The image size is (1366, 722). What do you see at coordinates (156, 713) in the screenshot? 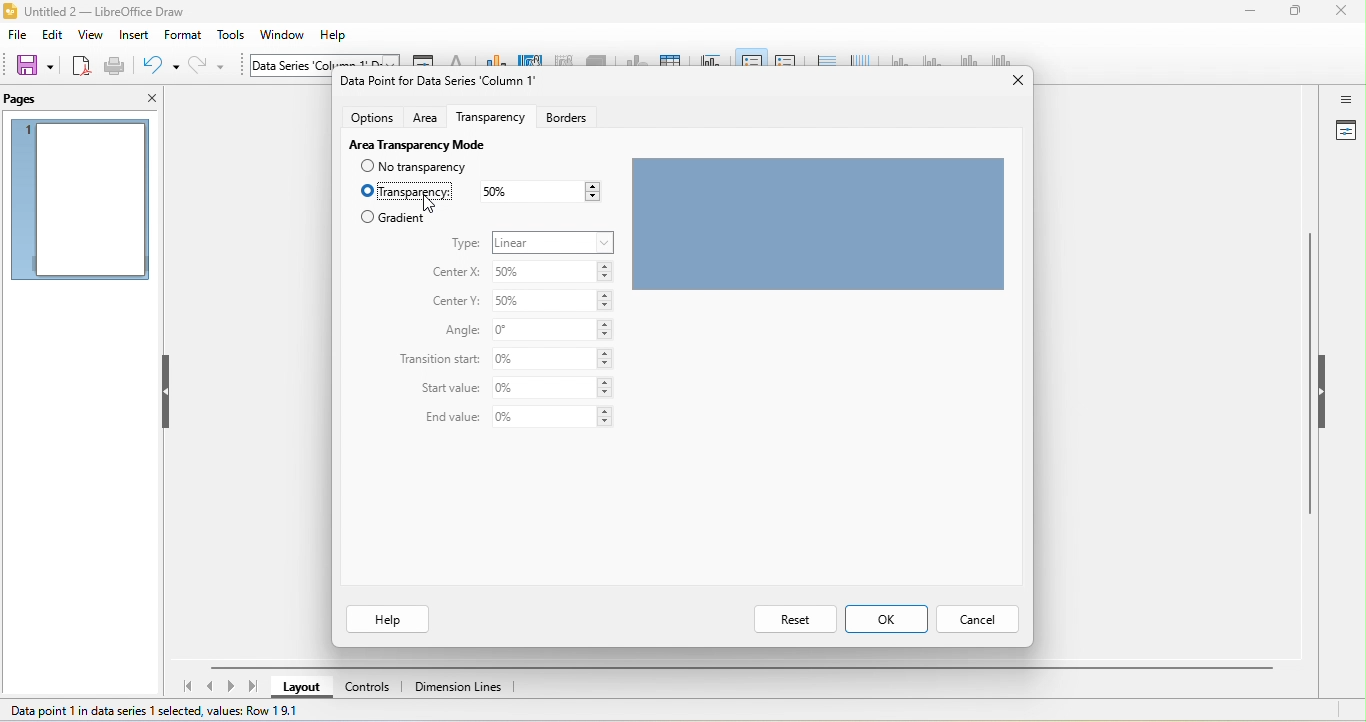
I see `data point 1 in series 1 selected, values row 1.9.1` at bounding box center [156, 713].